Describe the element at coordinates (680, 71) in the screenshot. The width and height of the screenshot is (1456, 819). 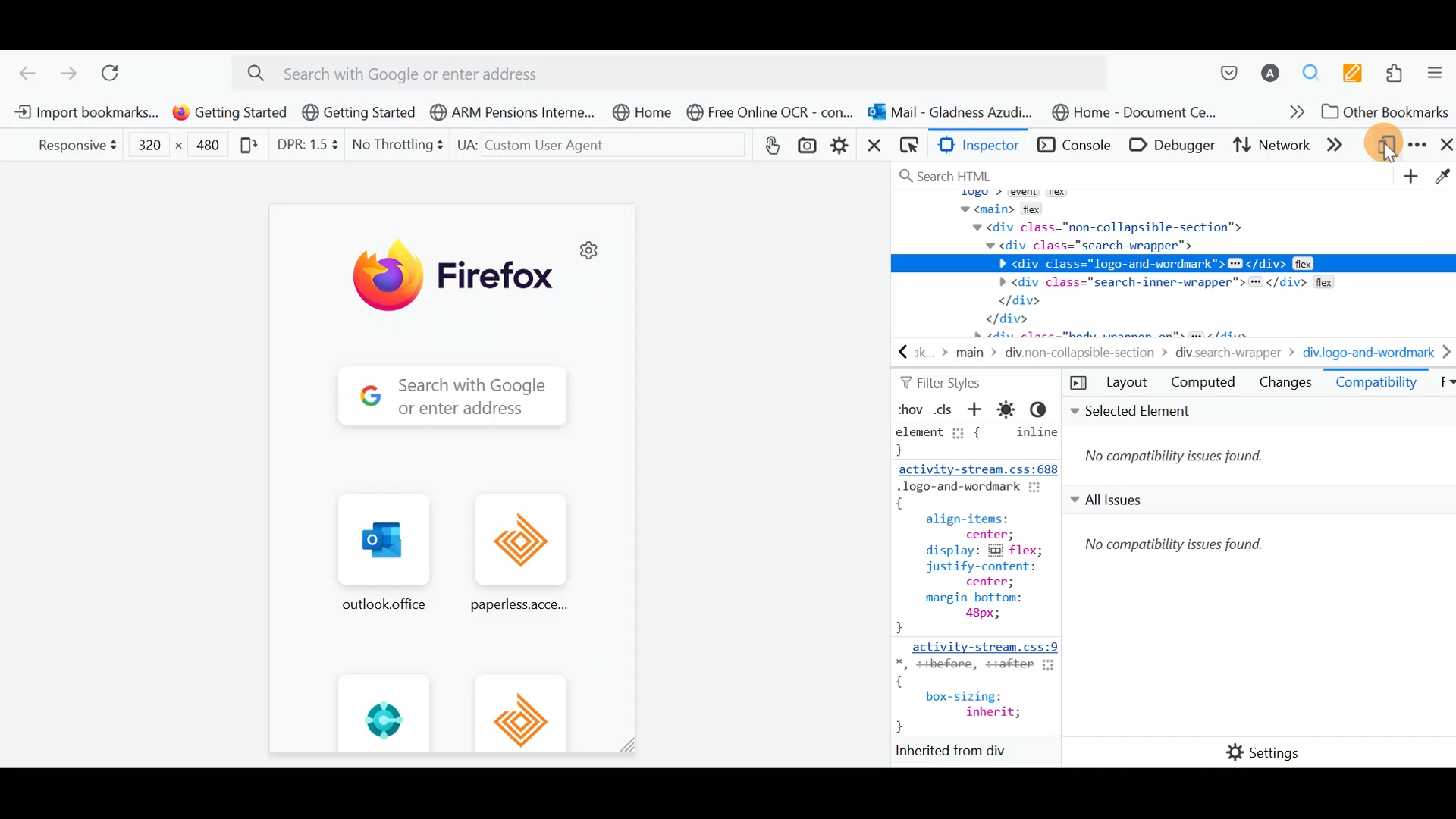
I see `Search bar` at that location.